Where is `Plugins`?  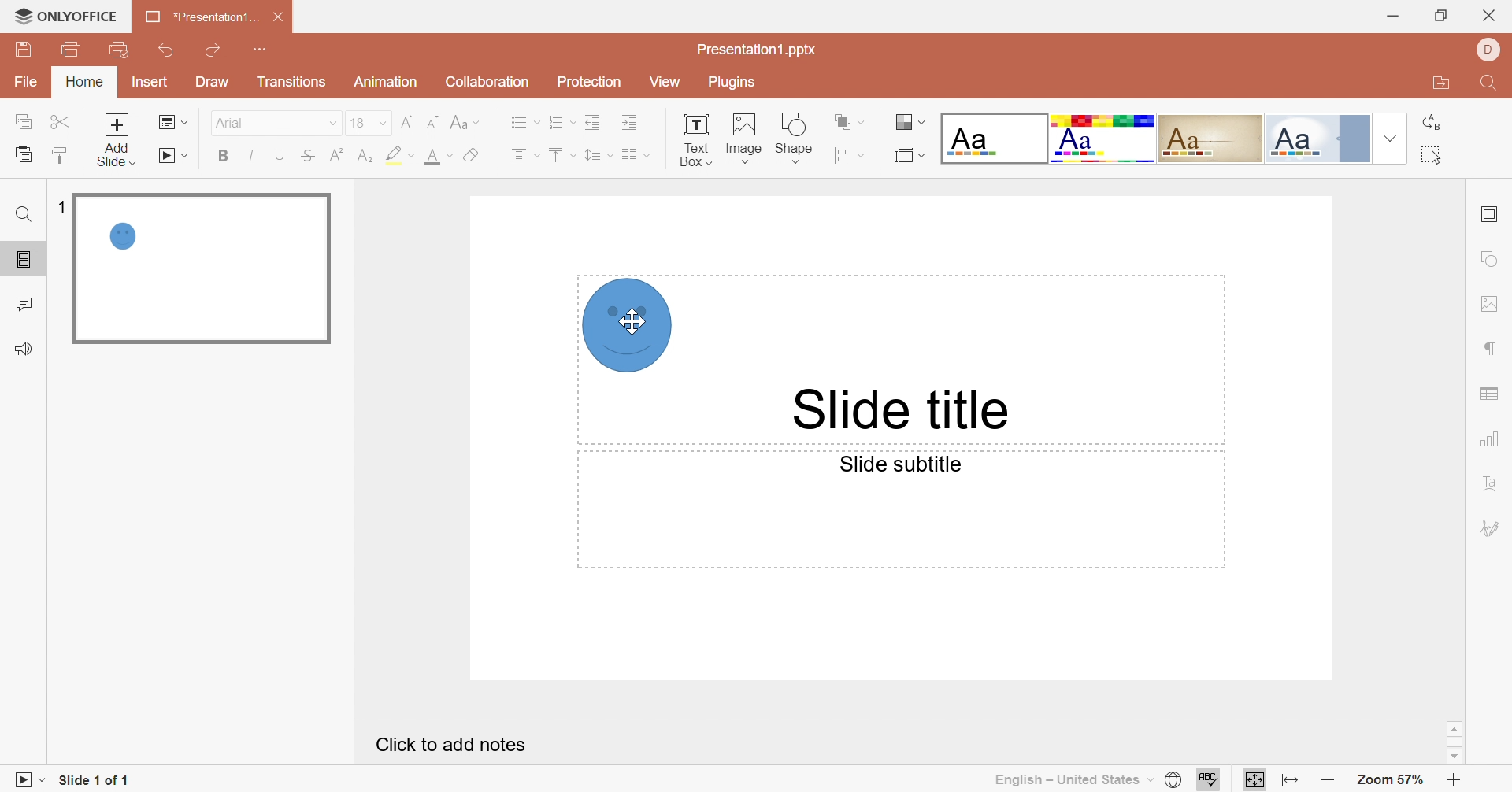 Plugins is located at coordinates (728, 84).